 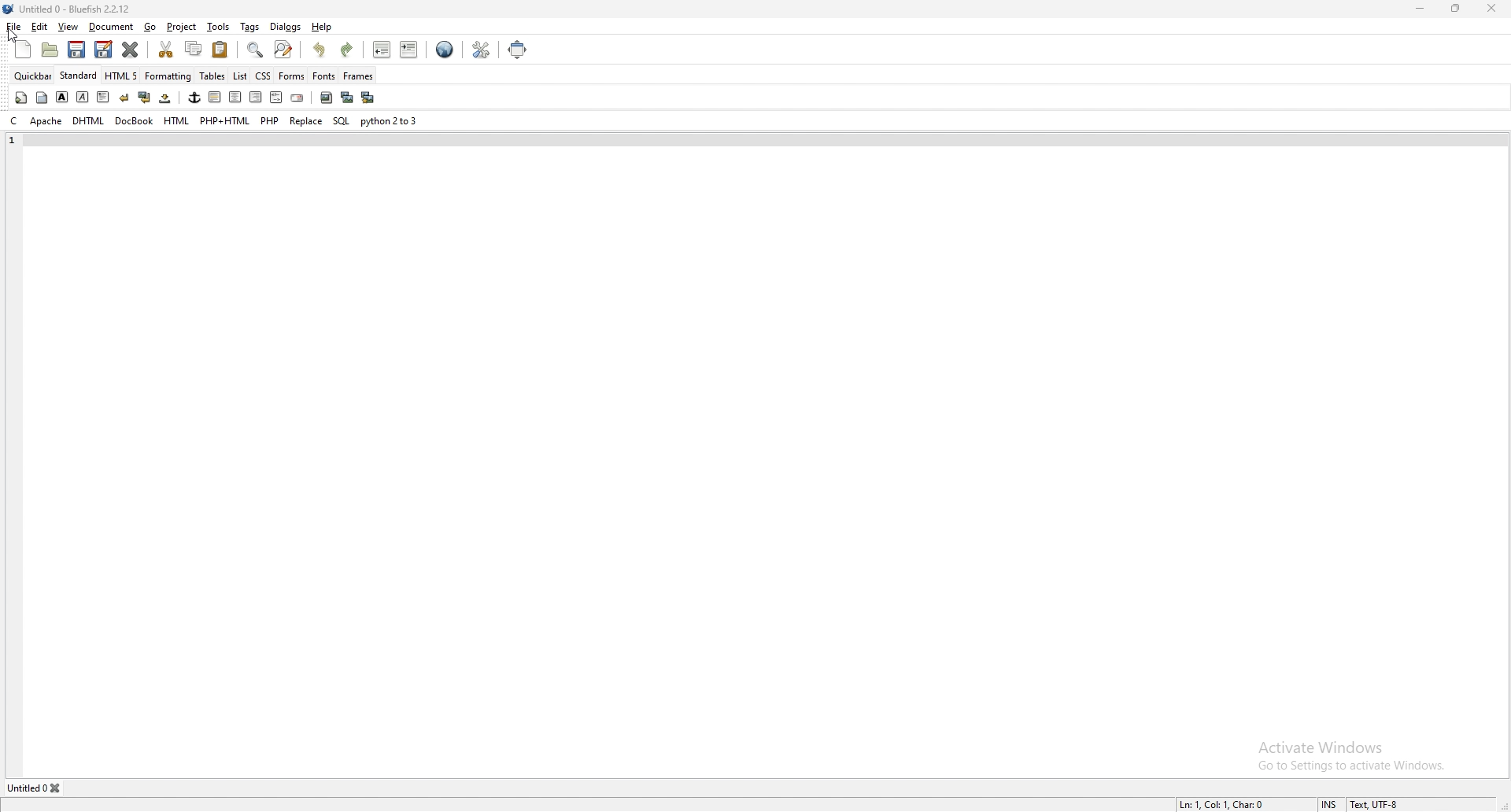 What do you see at coordinates (292, 76) in the screenshot?
I see `forms` at bounding box center [292, 76].